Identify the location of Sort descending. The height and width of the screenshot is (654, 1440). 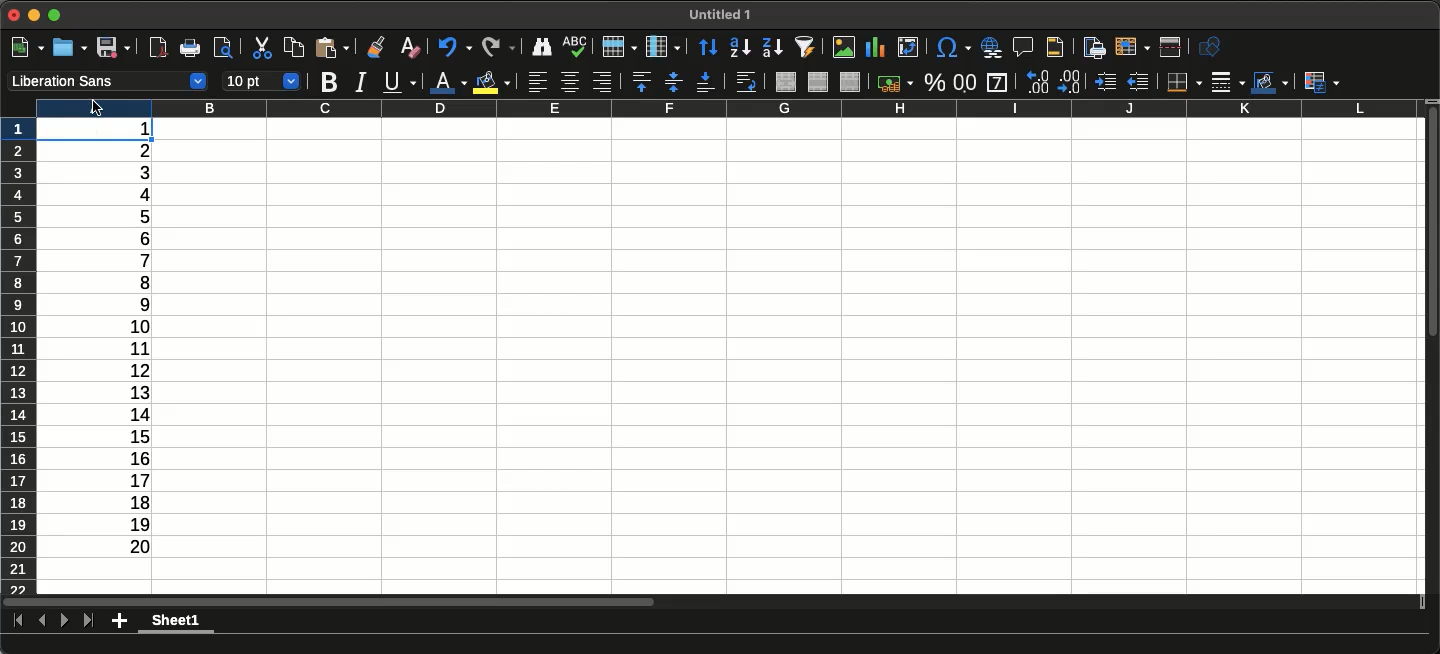
(768, 48).